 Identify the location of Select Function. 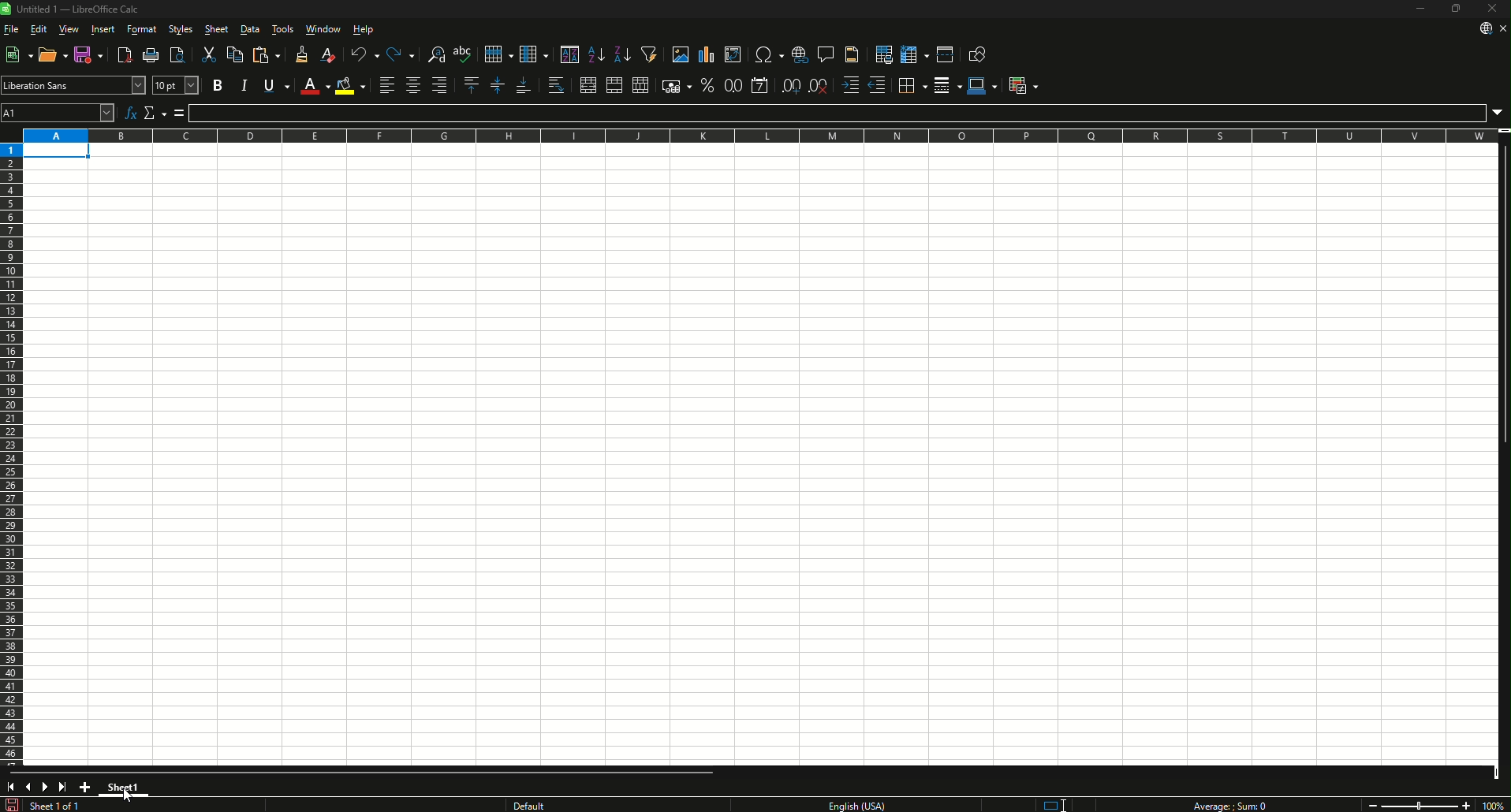
(155, 113).